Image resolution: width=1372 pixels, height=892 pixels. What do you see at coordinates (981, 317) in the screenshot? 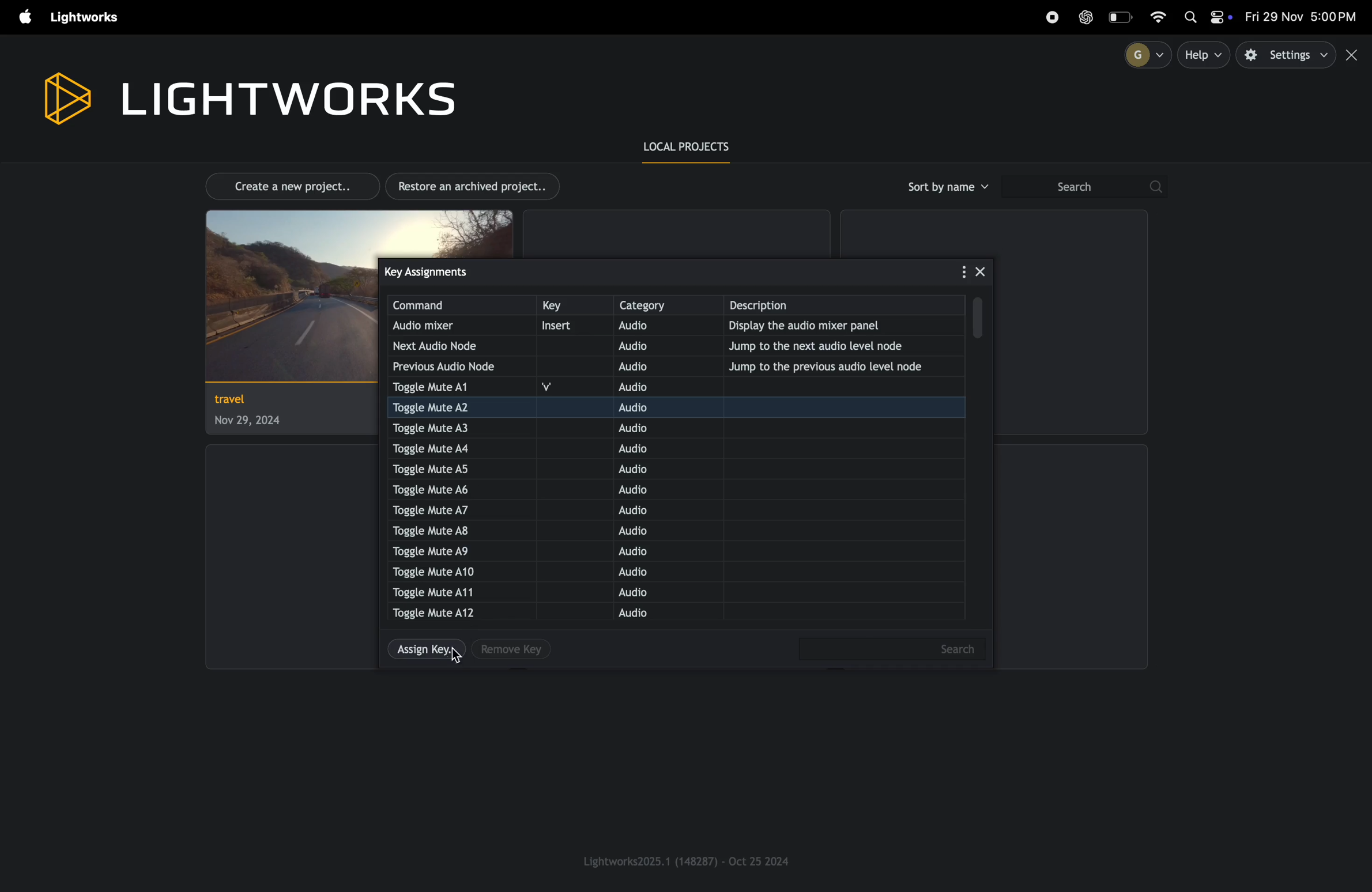
I see `toggle` at bounding box center [981, 317].